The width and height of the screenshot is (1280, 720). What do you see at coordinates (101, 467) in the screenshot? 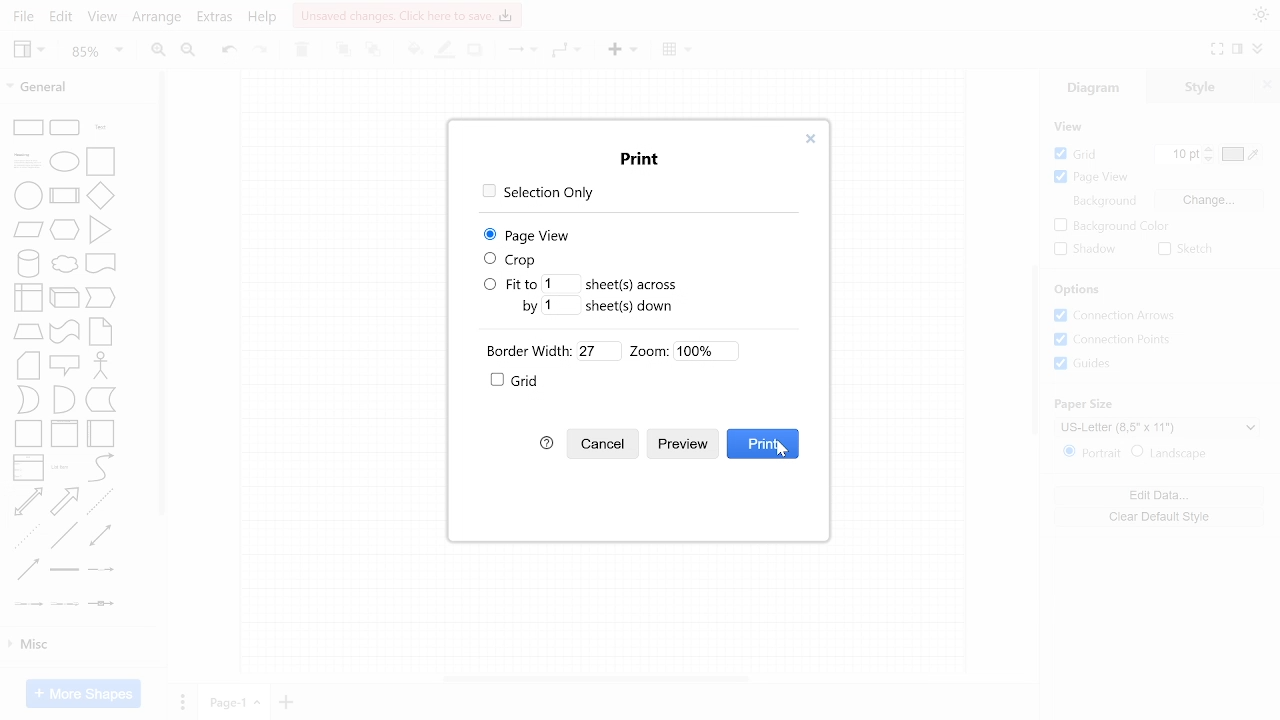
I see `Curve` at bounding box center [101, 467].